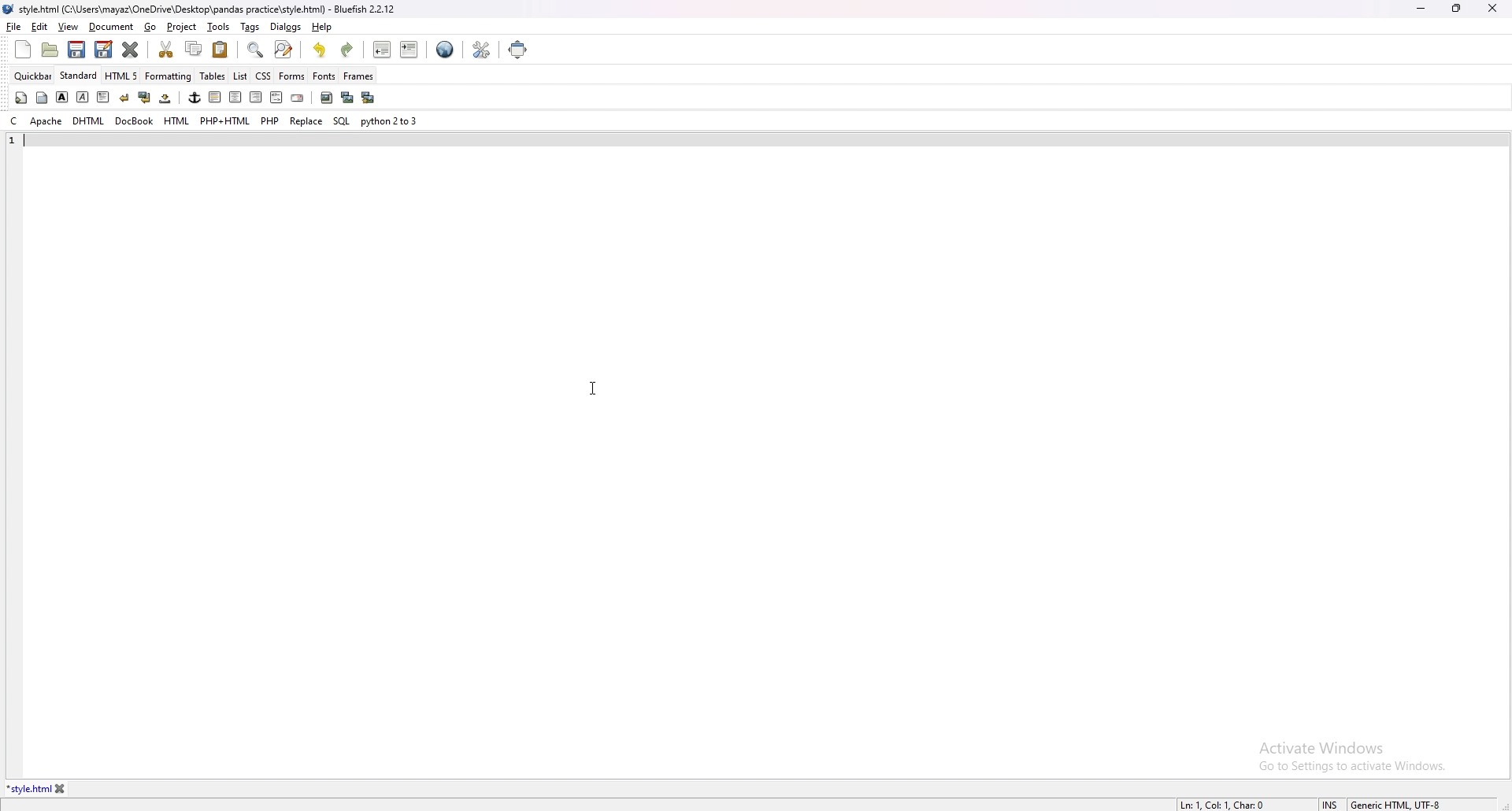 This screenshot has width=1512, height=811. I want to click on tools, so click(219, 27).